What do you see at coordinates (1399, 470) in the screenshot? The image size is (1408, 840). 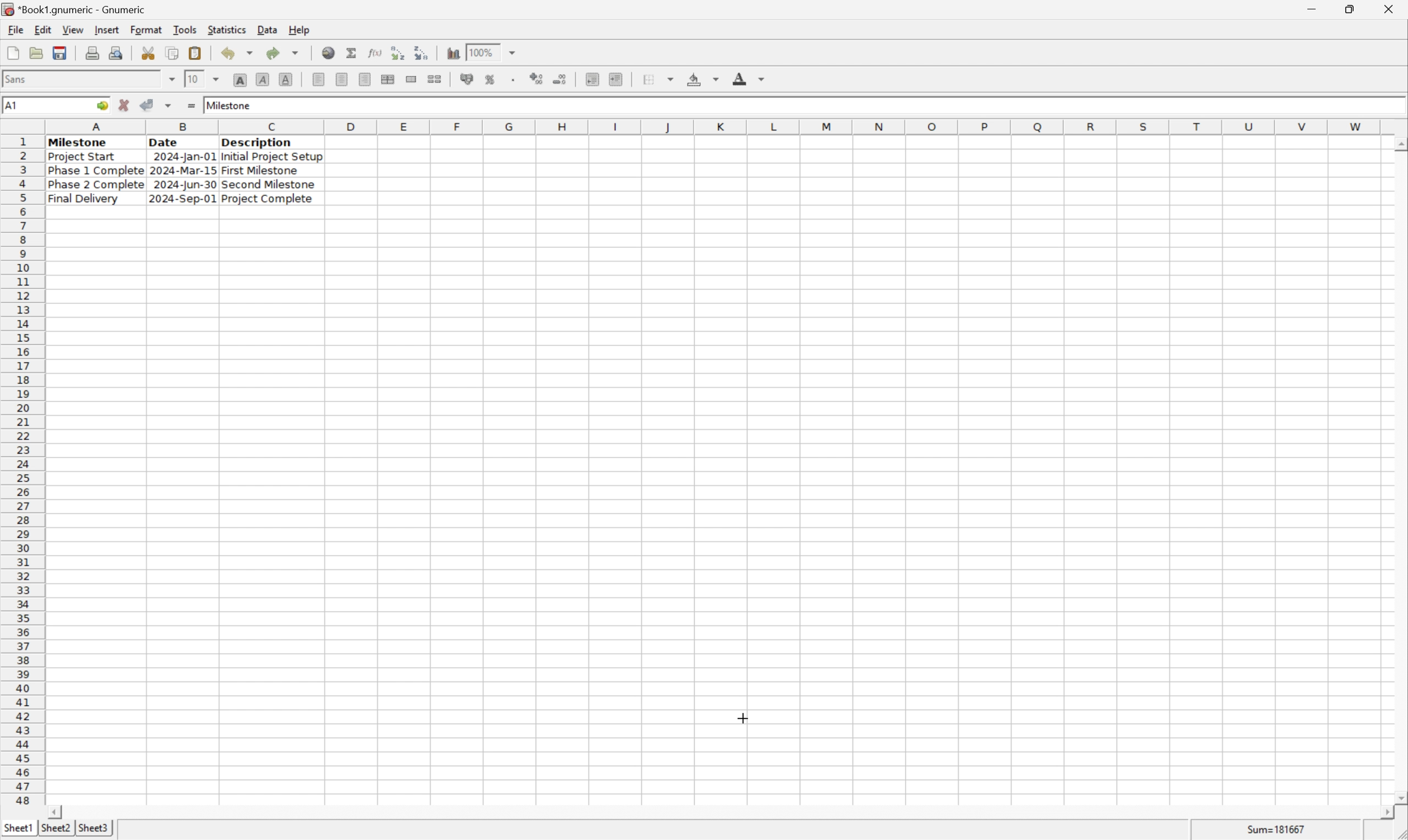 I see `scroll bar` at bounding box center [1399, 470].